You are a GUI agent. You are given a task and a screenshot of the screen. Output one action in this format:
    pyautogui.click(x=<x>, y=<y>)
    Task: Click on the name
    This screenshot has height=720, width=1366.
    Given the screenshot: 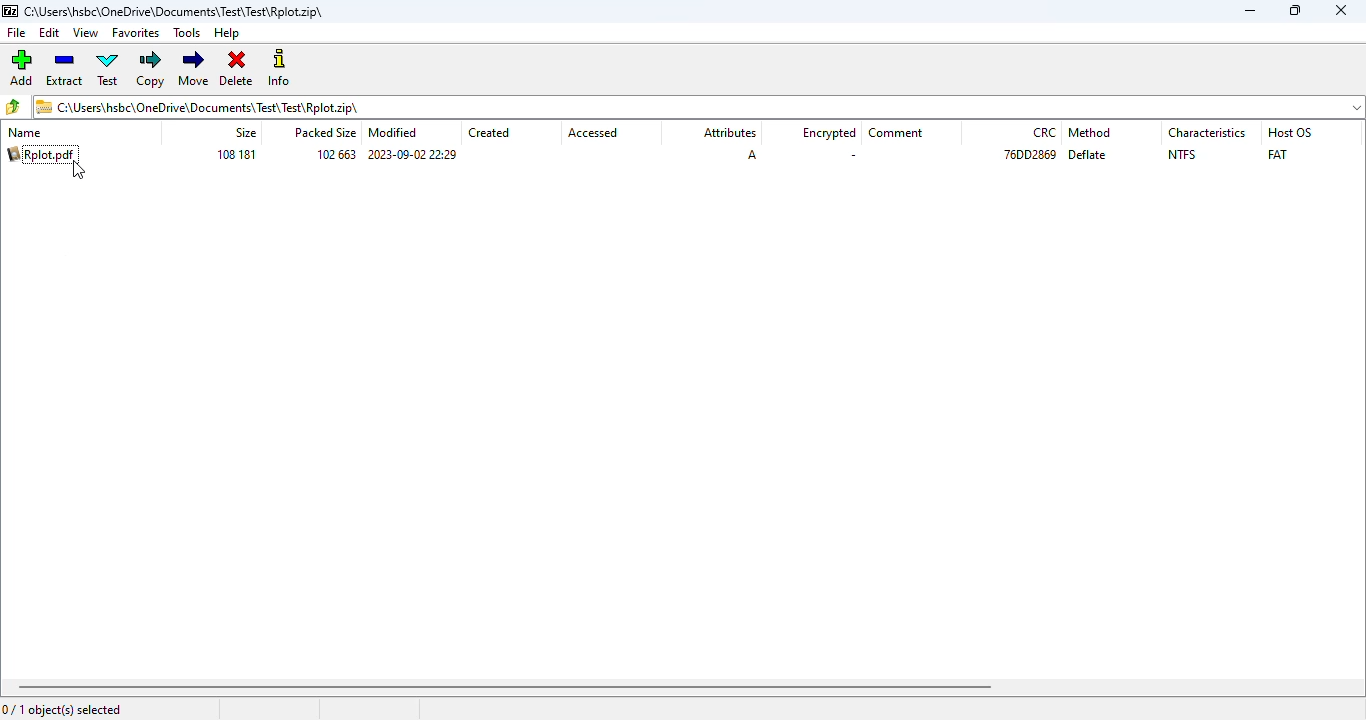 What is the action you would take?
    pyautogui.click(x=25, y=133)
    